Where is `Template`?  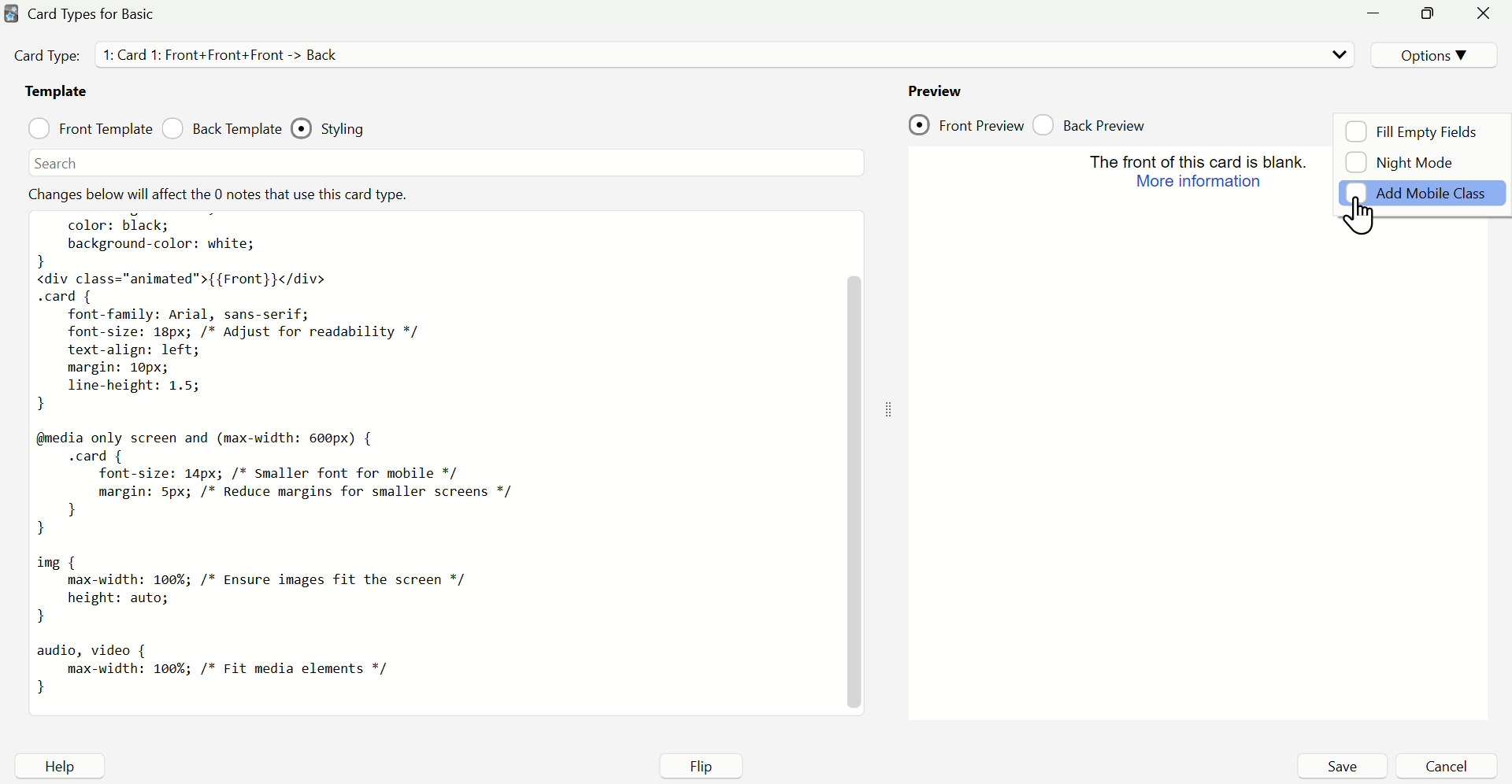
Template is located at coordinates (57, 94).